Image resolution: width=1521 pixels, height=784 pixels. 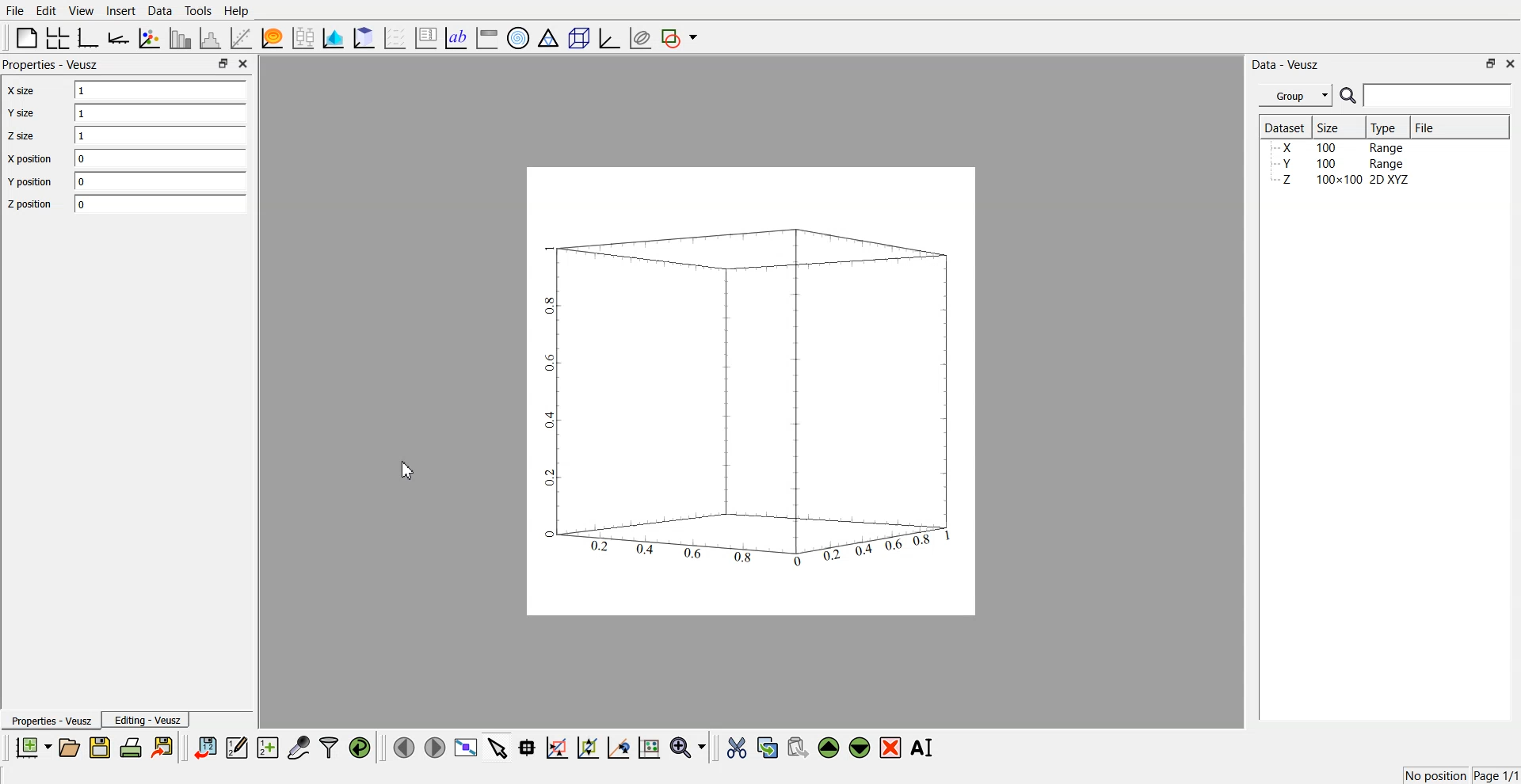 I want to click on Edit and enter new dataset, so click(x=236, y=747).